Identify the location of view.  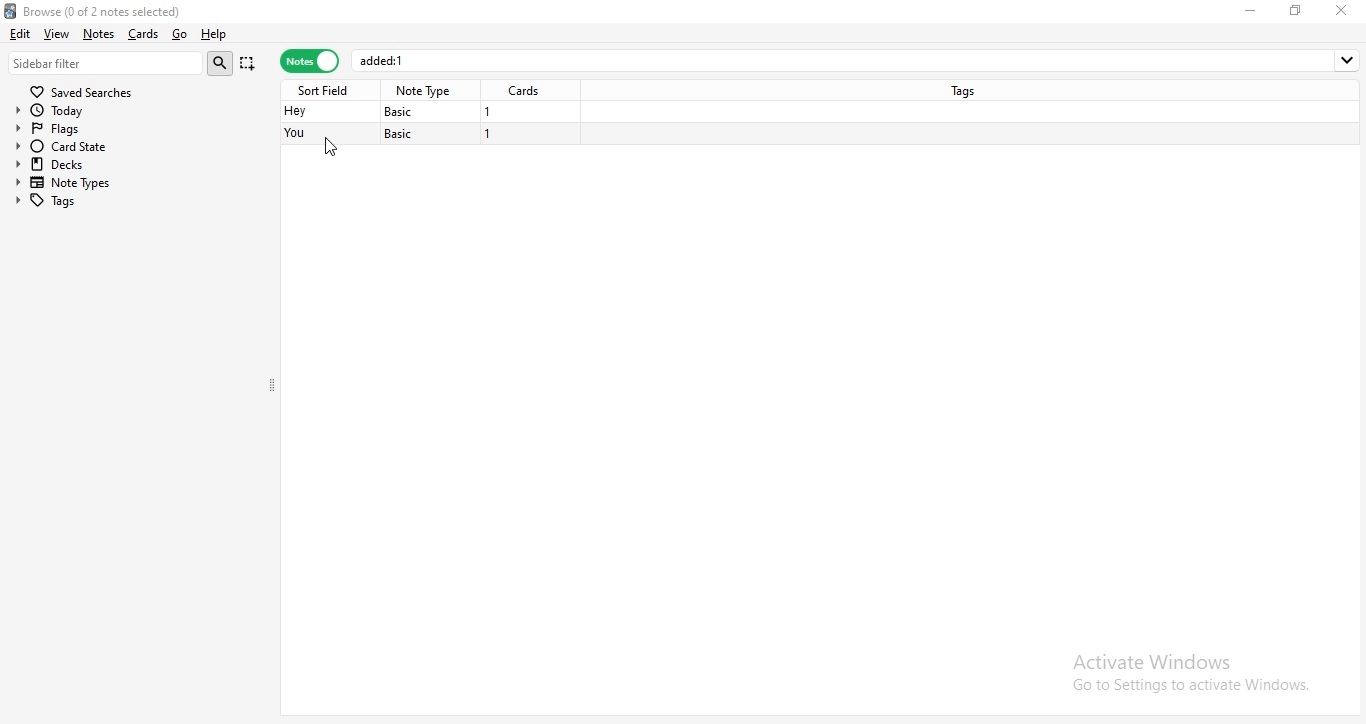
(58, 33).